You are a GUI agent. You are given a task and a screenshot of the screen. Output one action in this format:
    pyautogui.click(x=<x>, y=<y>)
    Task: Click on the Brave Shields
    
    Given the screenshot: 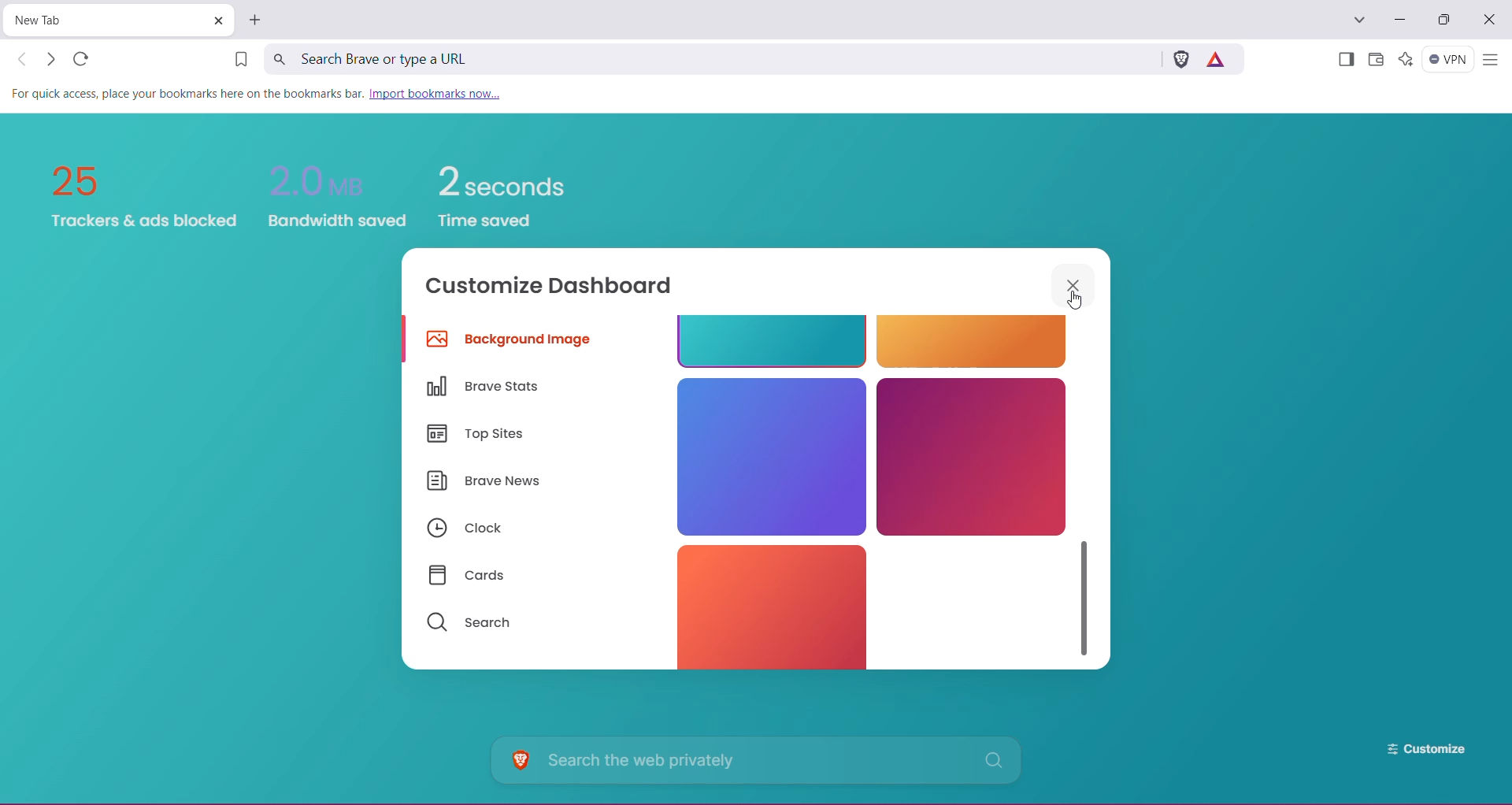 What is the action you would take?
    pyautogui.click(x=1180, y=58)
    